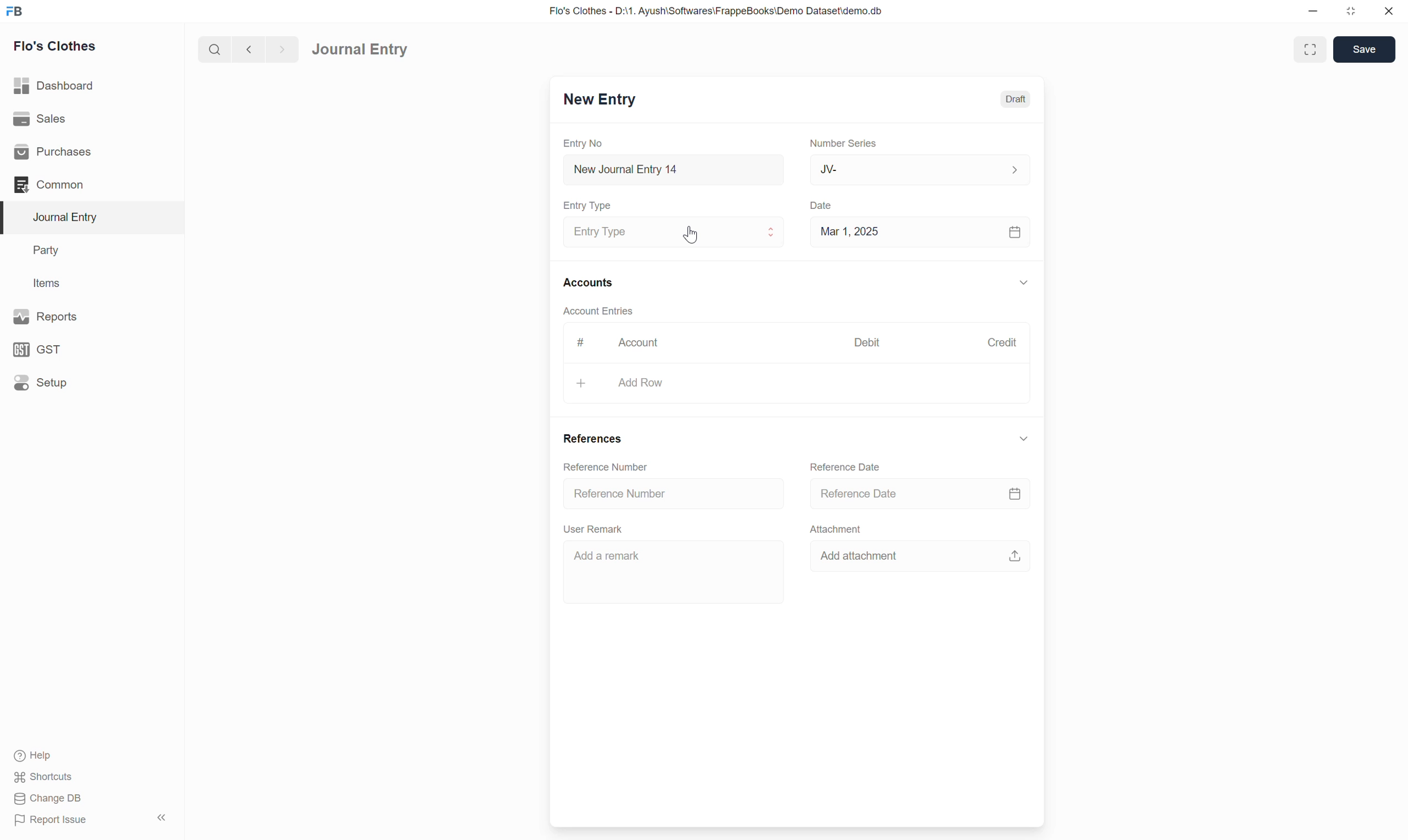 This screenshot has width=1408, height=840. What do you see at coordinates (48, 798) in the screenshot?
I see `Change DB` at bounding box center [48, 798].